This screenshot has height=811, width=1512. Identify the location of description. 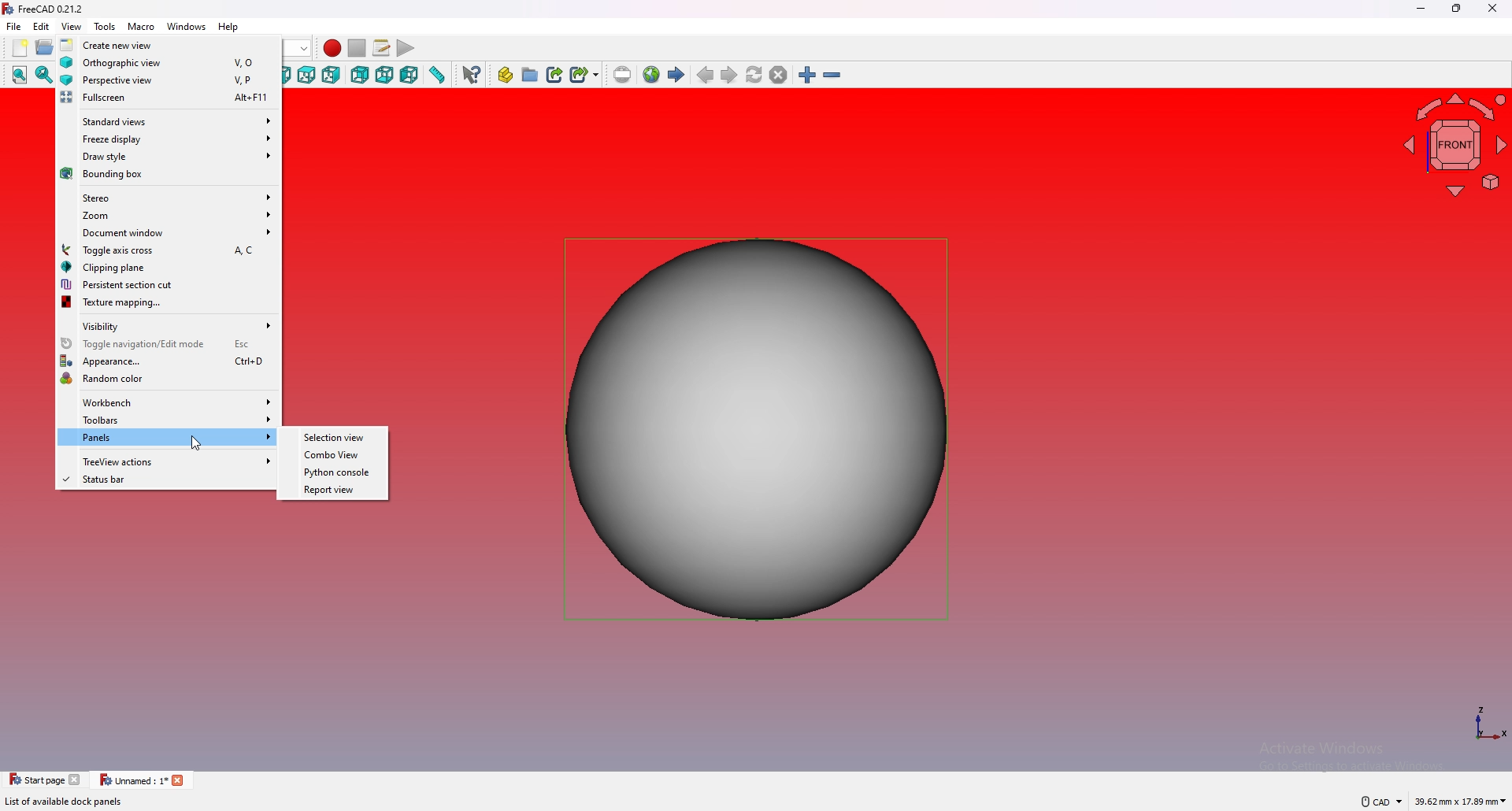
(63, 802).